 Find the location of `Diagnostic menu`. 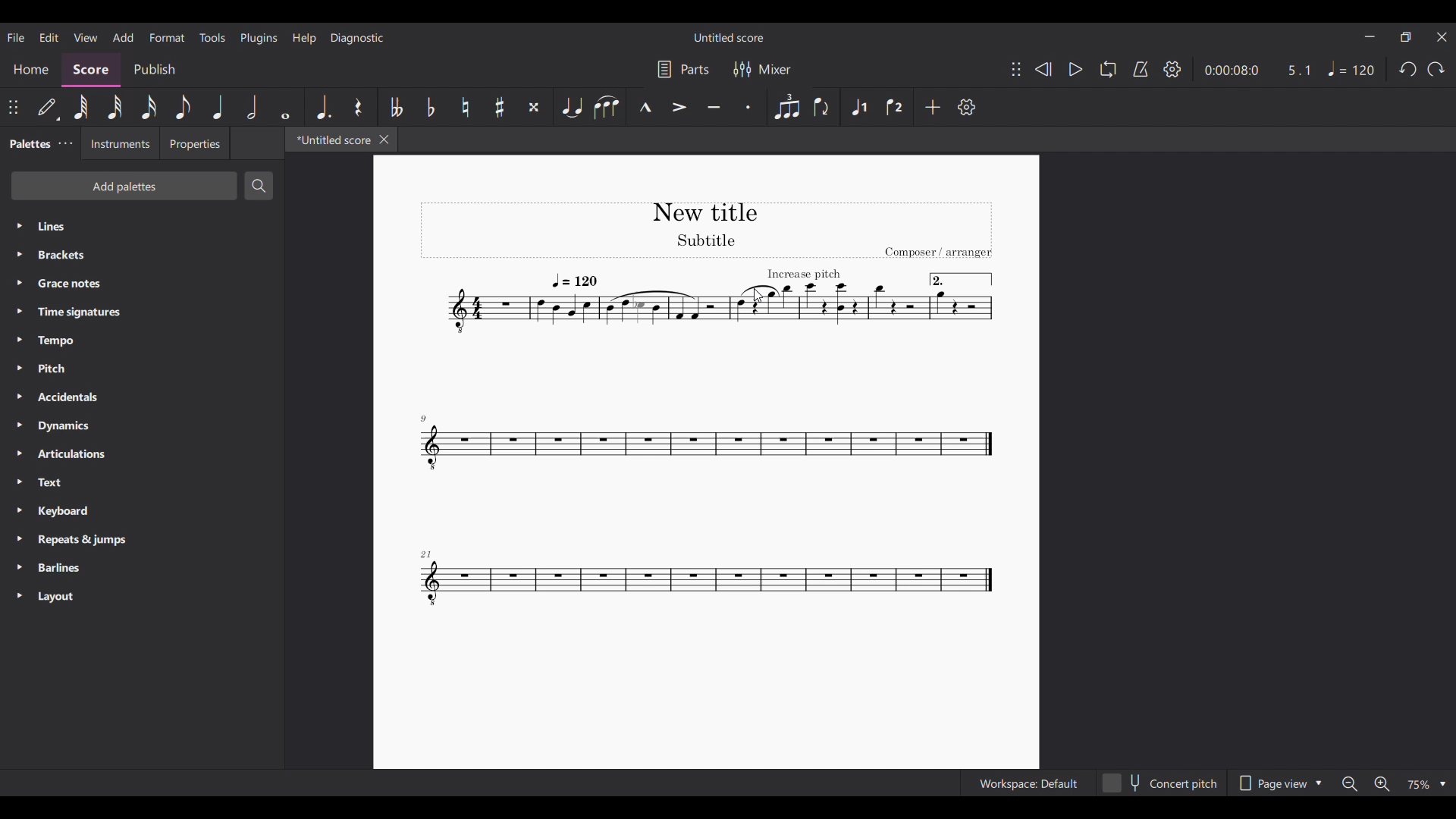

Diagnostic menu is located at coordinates (357, 39).